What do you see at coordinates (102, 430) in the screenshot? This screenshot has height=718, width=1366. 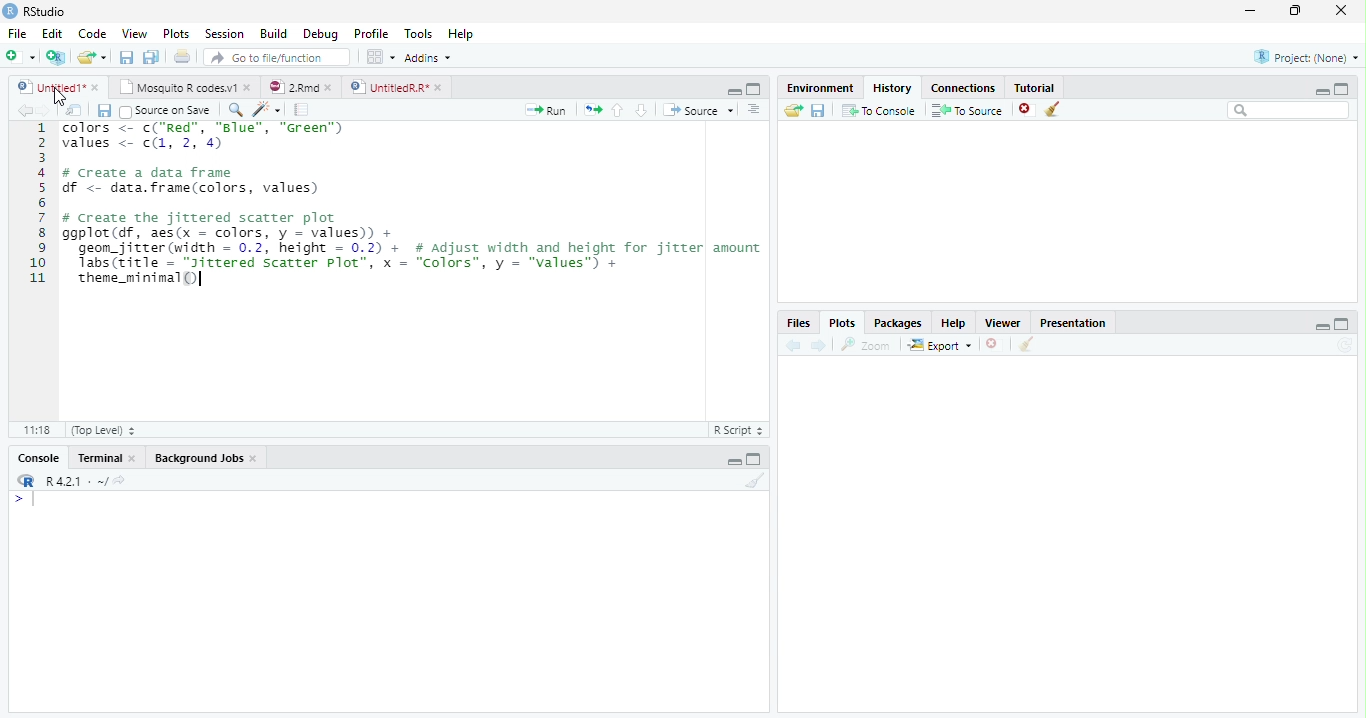 I see `(Top Level)` at bounding box center [102, 430].